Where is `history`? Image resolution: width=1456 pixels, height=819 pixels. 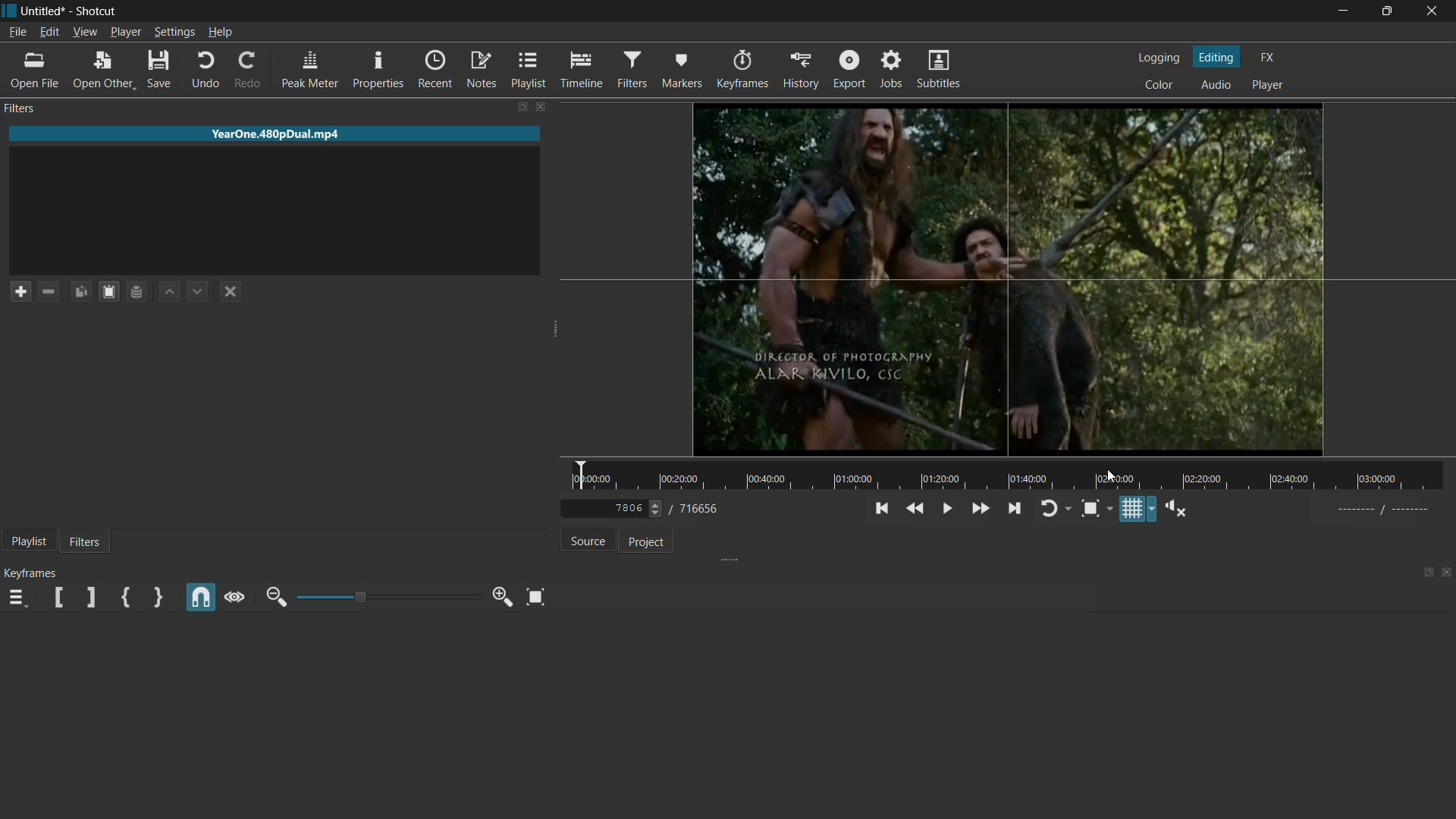
history is located at coordinates (802, 71).